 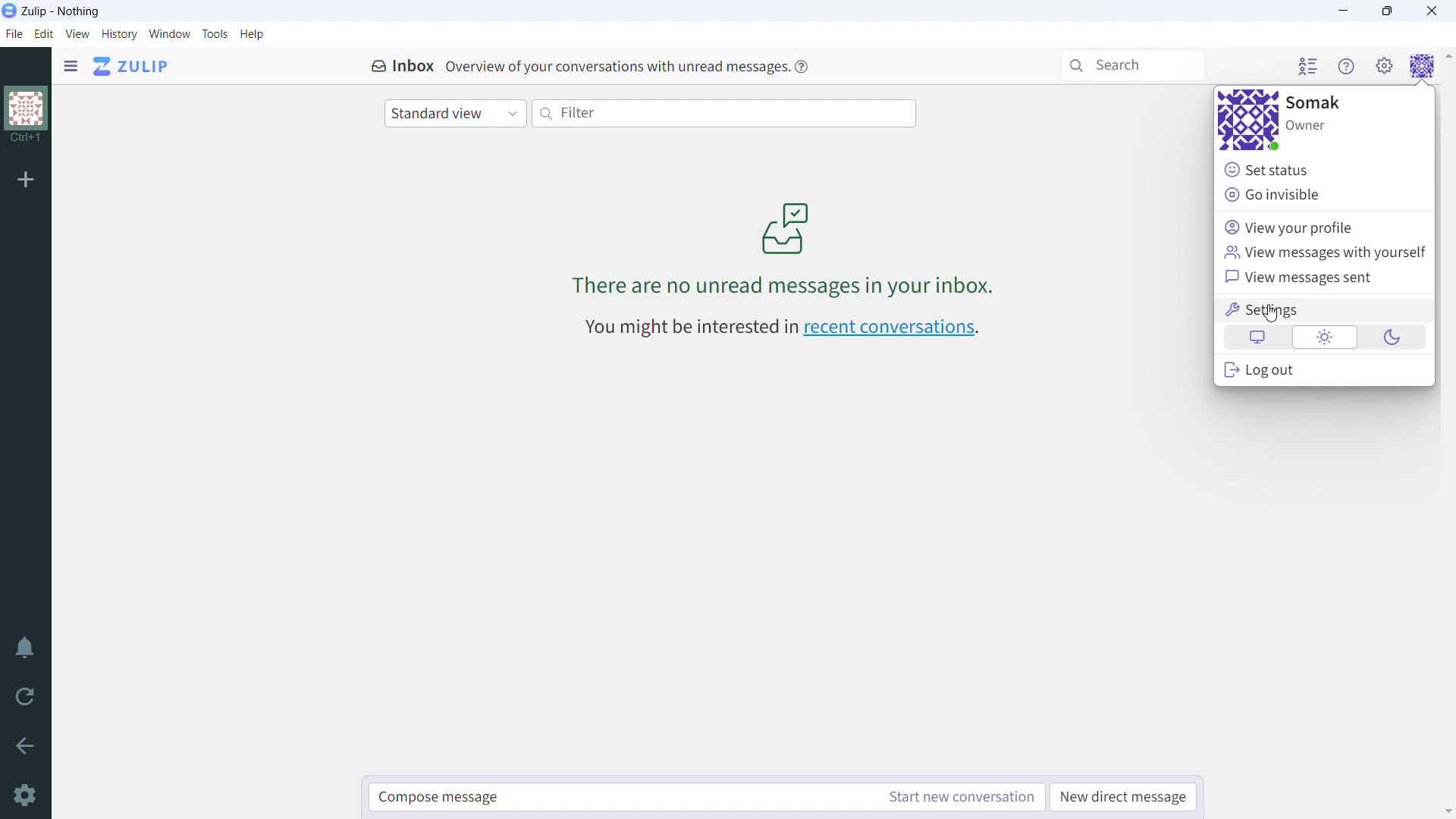 I want to click on search, so click(x=1133, y=65).